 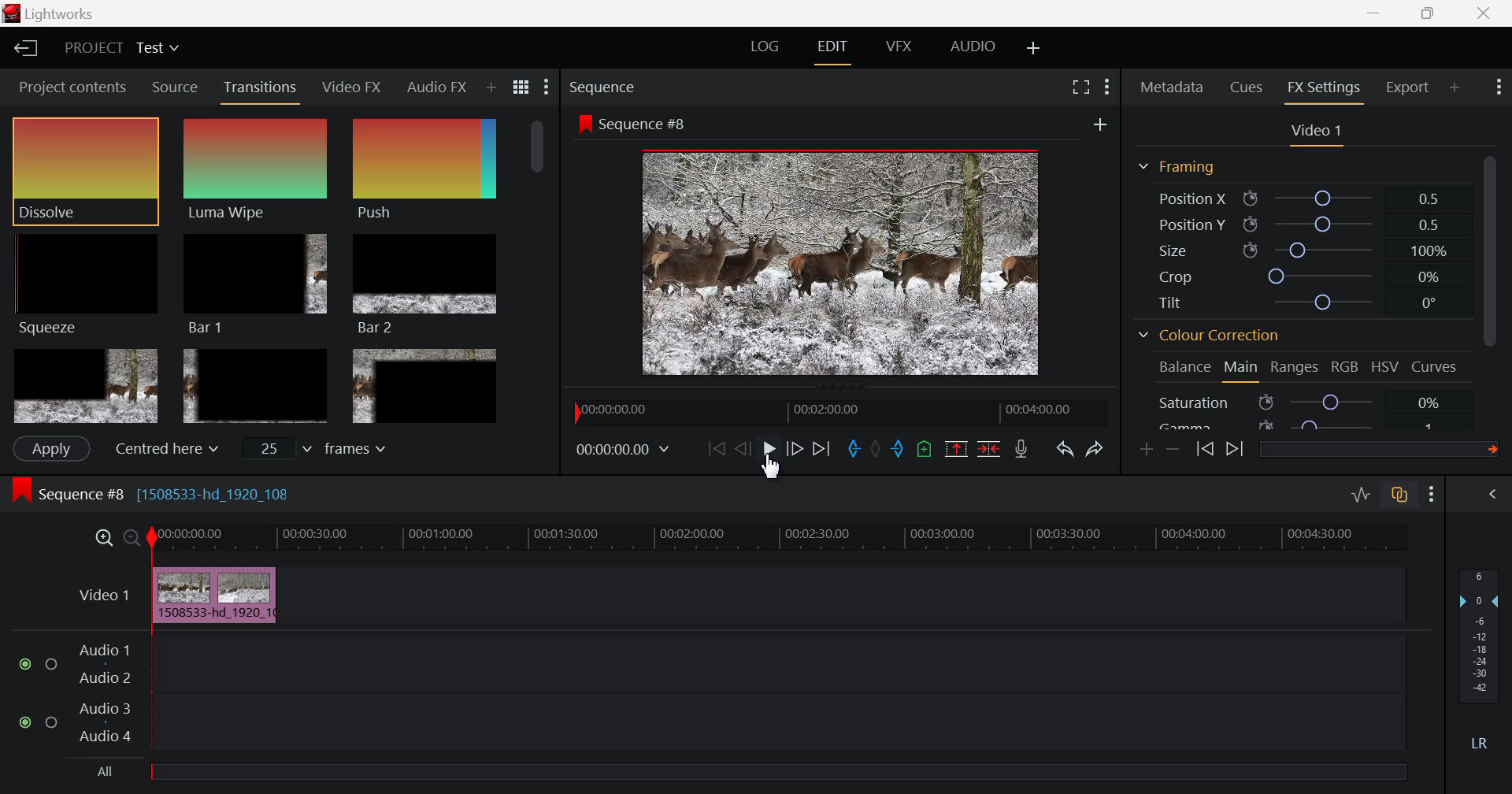 What do you see at coordinates (1435, 493) in the screenshot?
I see `Show Settings` at bounding box center [1435, 493].